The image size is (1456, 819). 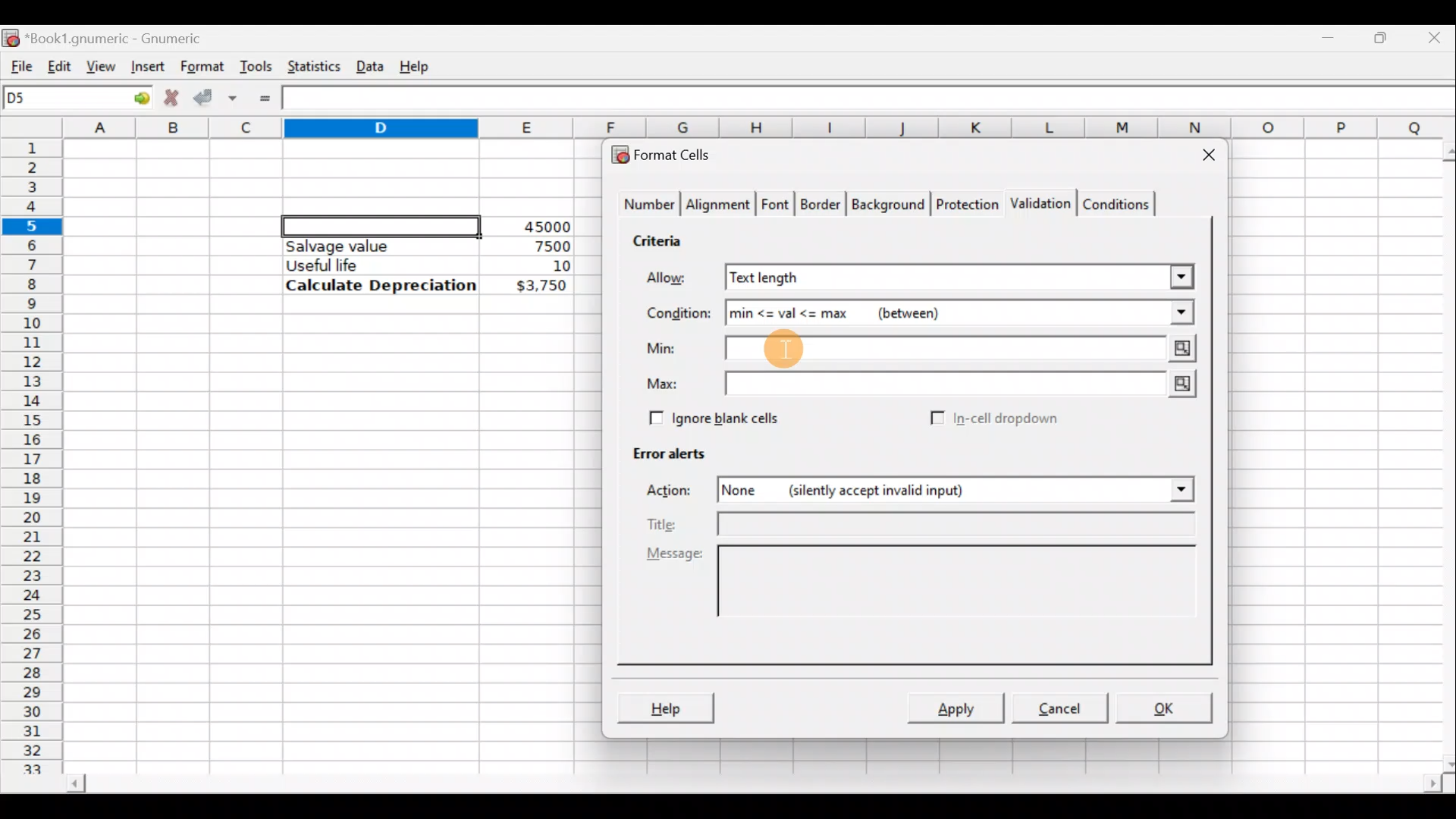 What do you see at coordinates (417, 65) in the screenshot?
I see `Help` at bounding box center [417, 65].